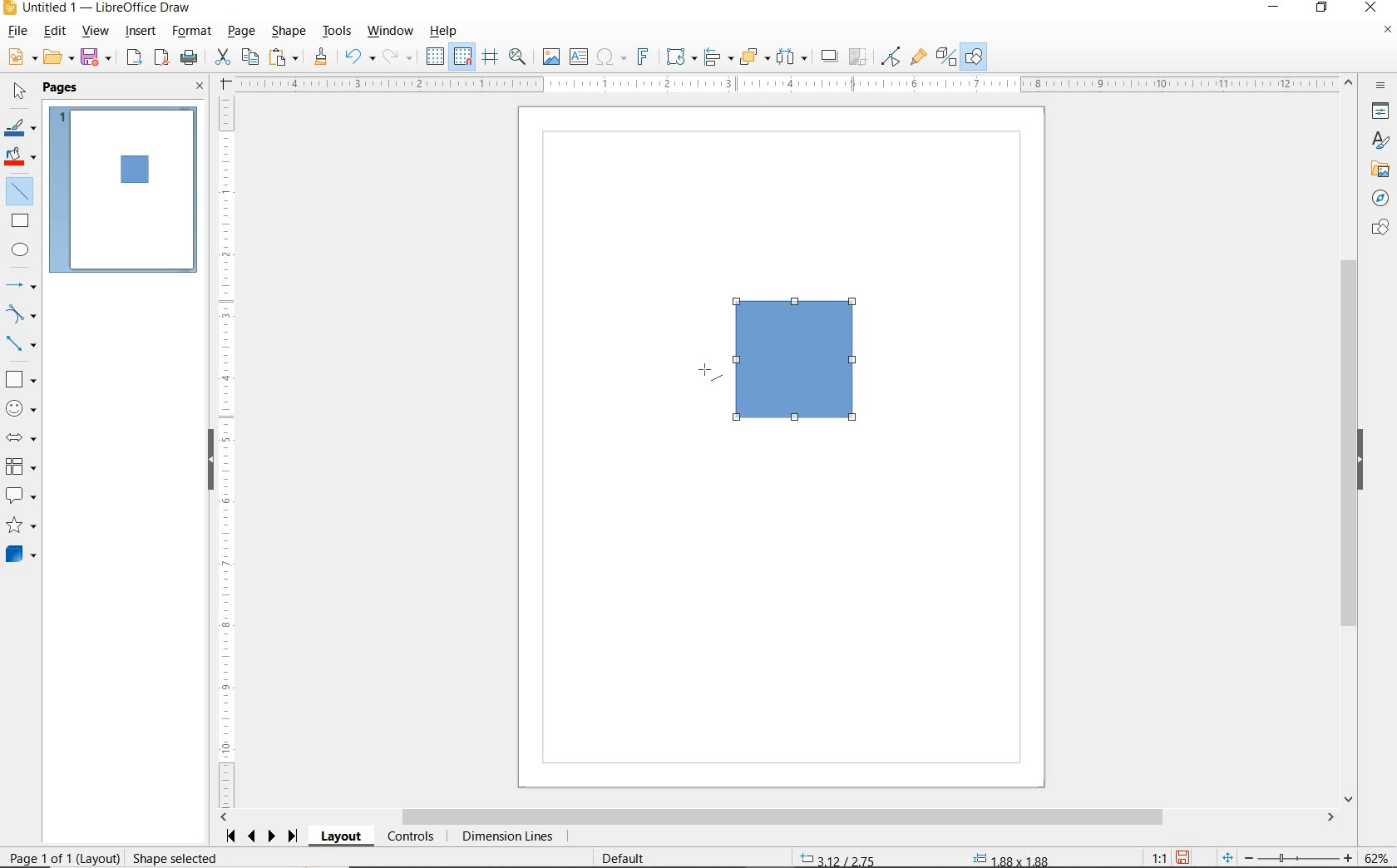 Image resolution: width=1397 pixels, height=868 pixels. Describe the element at coordinates (227, 452) in the screenshot. I see `RULER` at that location.